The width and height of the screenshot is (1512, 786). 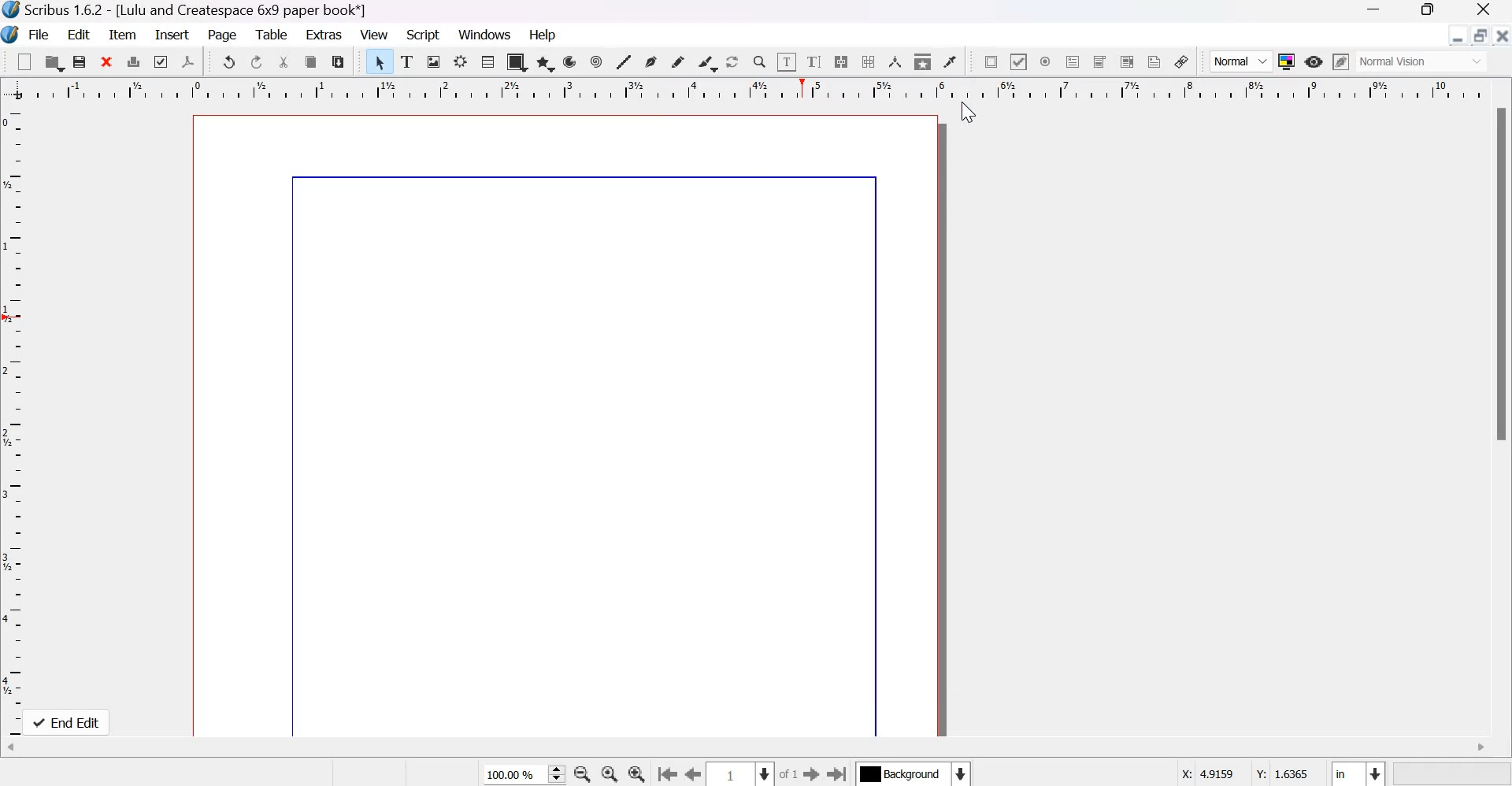 I want to click on close, so click(x=106, y=61).